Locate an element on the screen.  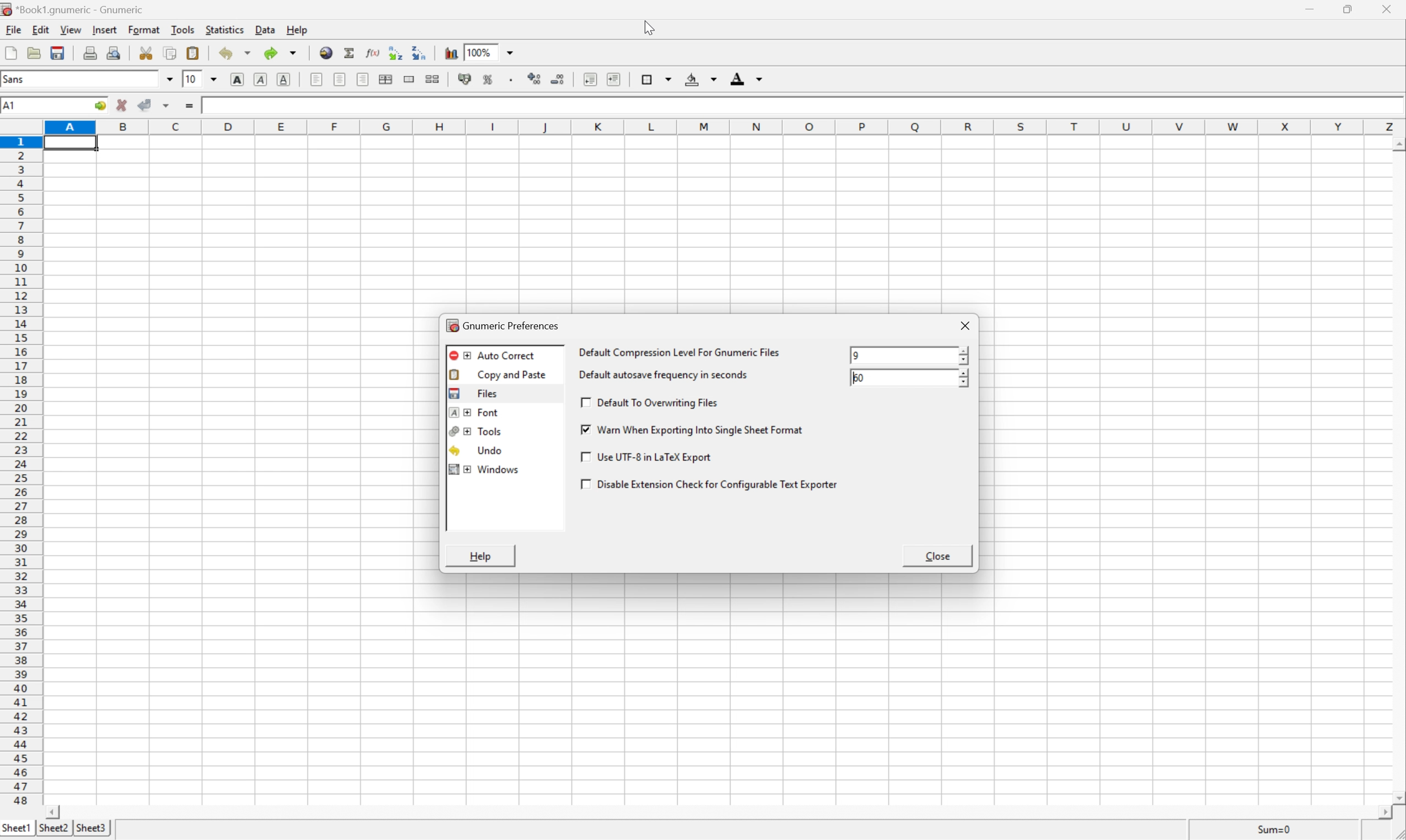
italic is located at coordinates (259, 78).